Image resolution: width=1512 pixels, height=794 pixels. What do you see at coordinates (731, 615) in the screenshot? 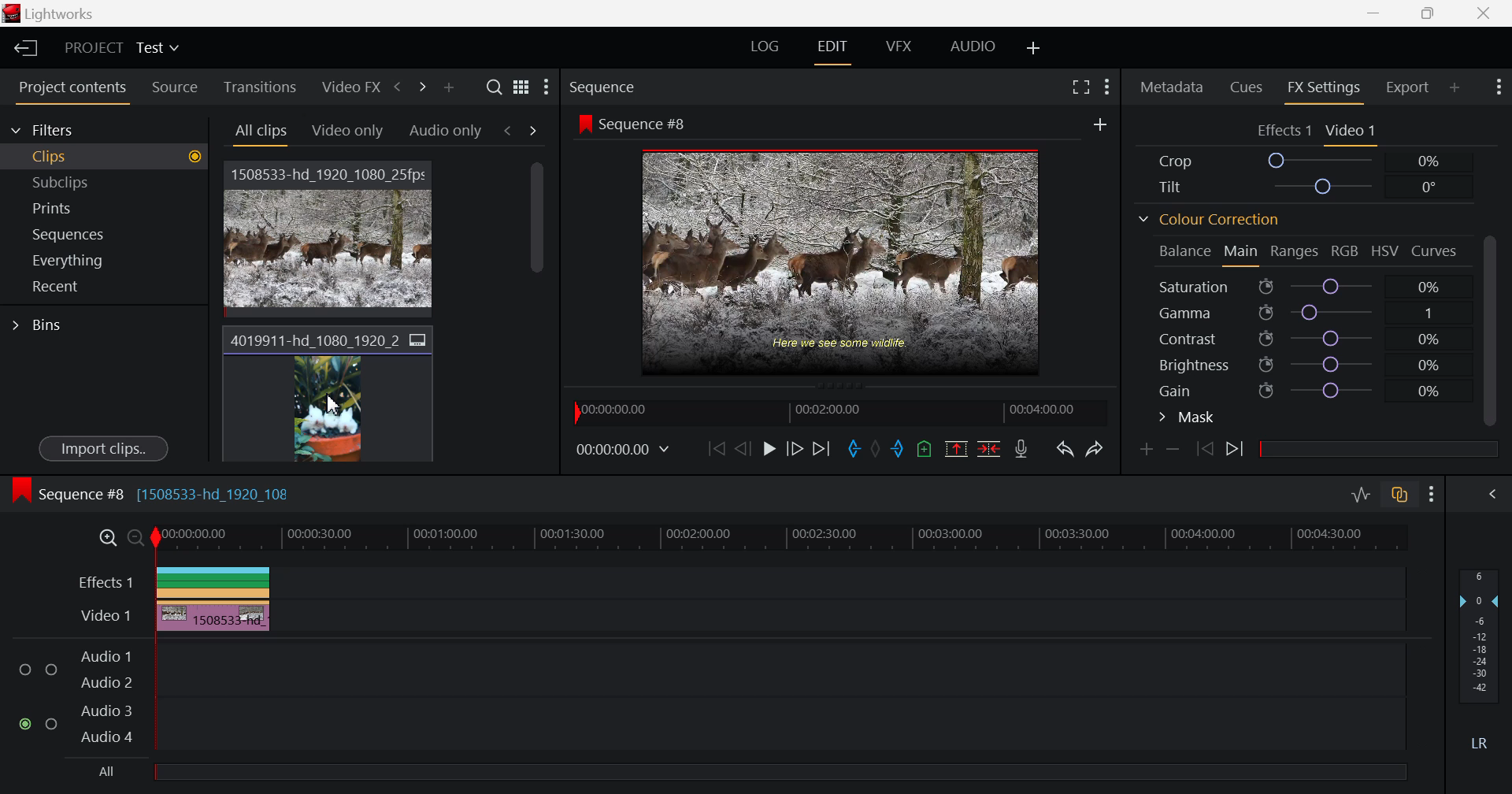
I see `Video Layer` at bounding box center [731, 615].